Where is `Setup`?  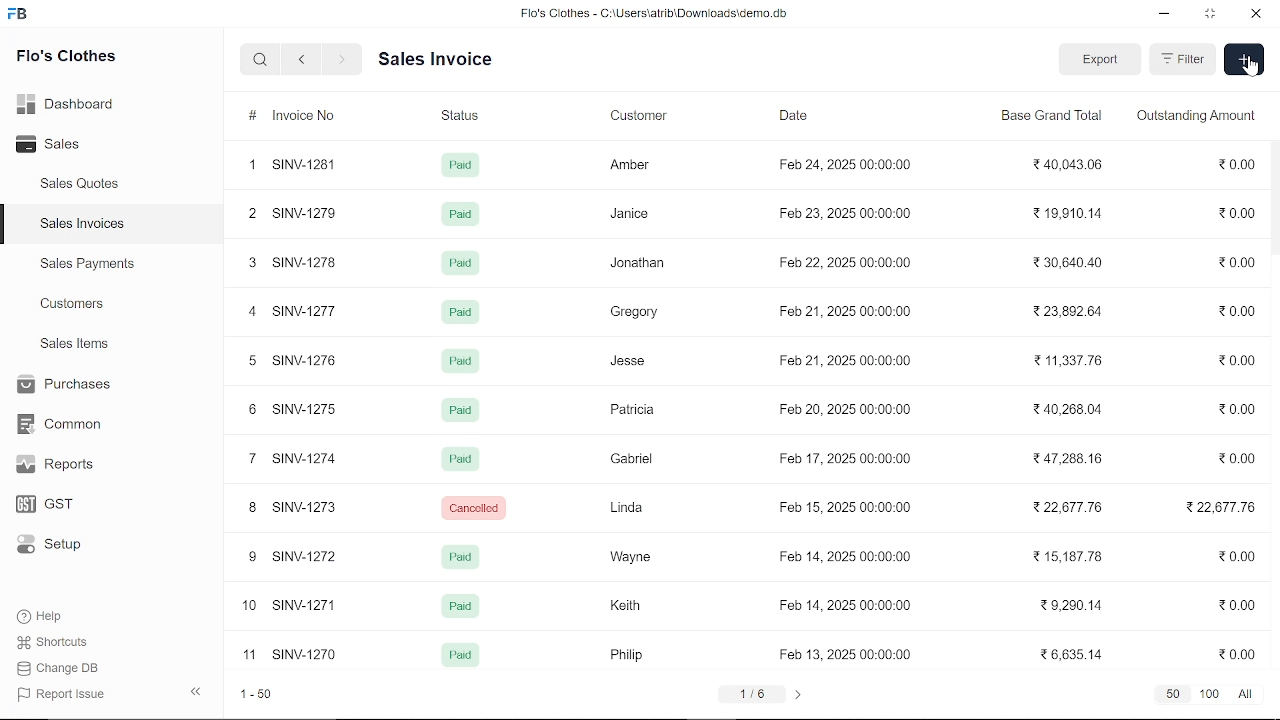
Setup is located at coordinates (54, 544).